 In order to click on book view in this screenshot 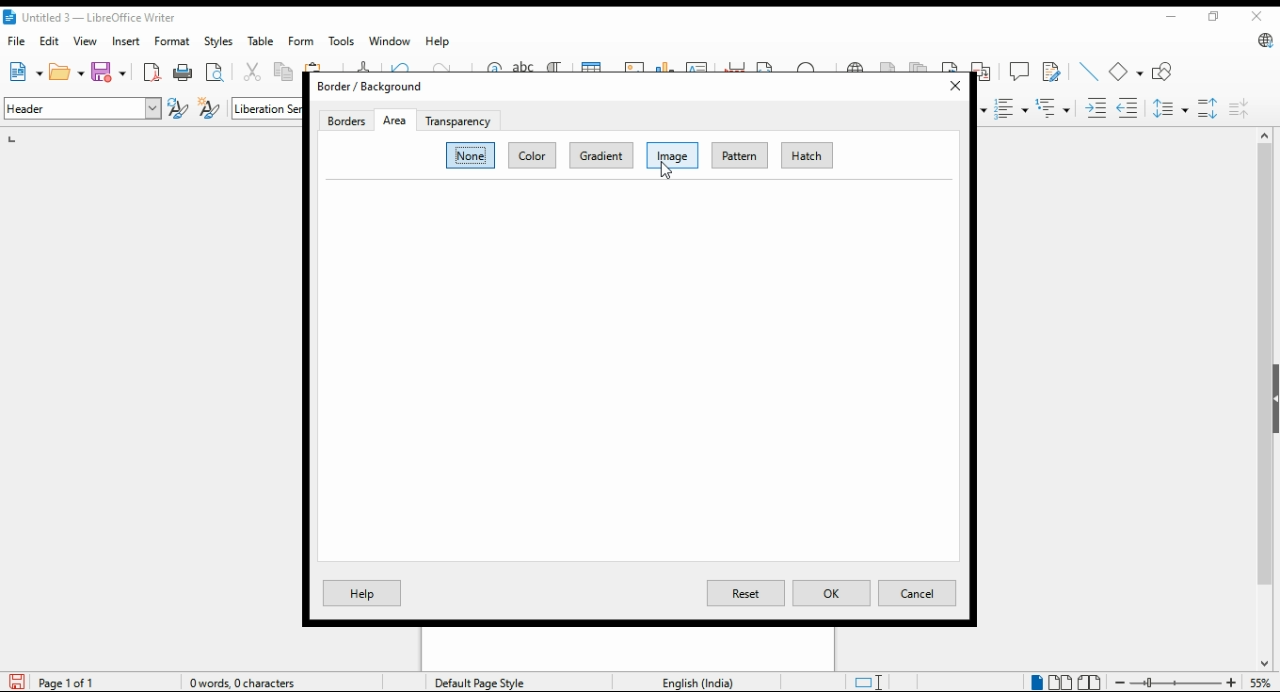, I will do `click(1090, 683)`.